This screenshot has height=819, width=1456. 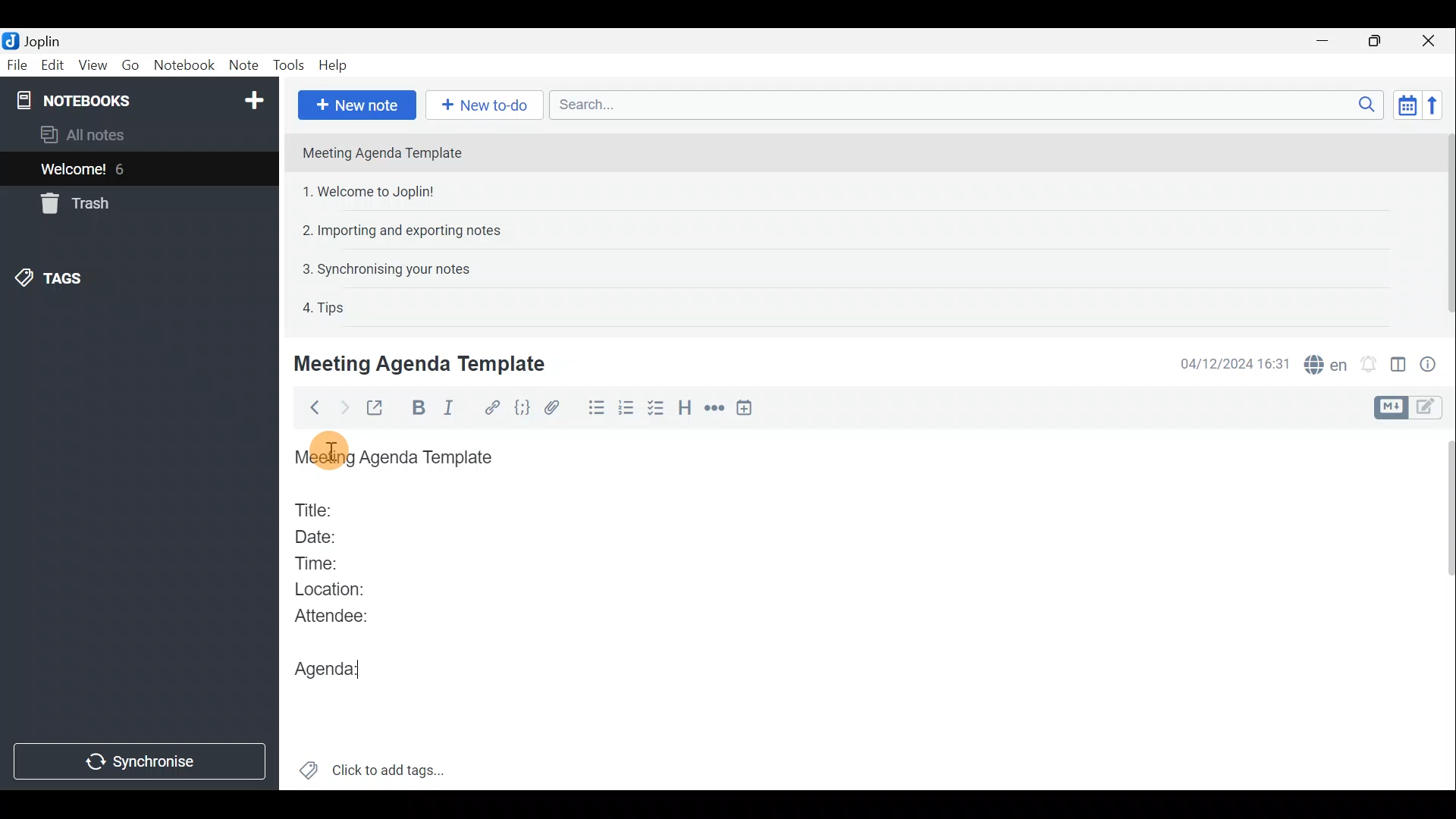 I want to click on Go, so click(x=130, y=64).